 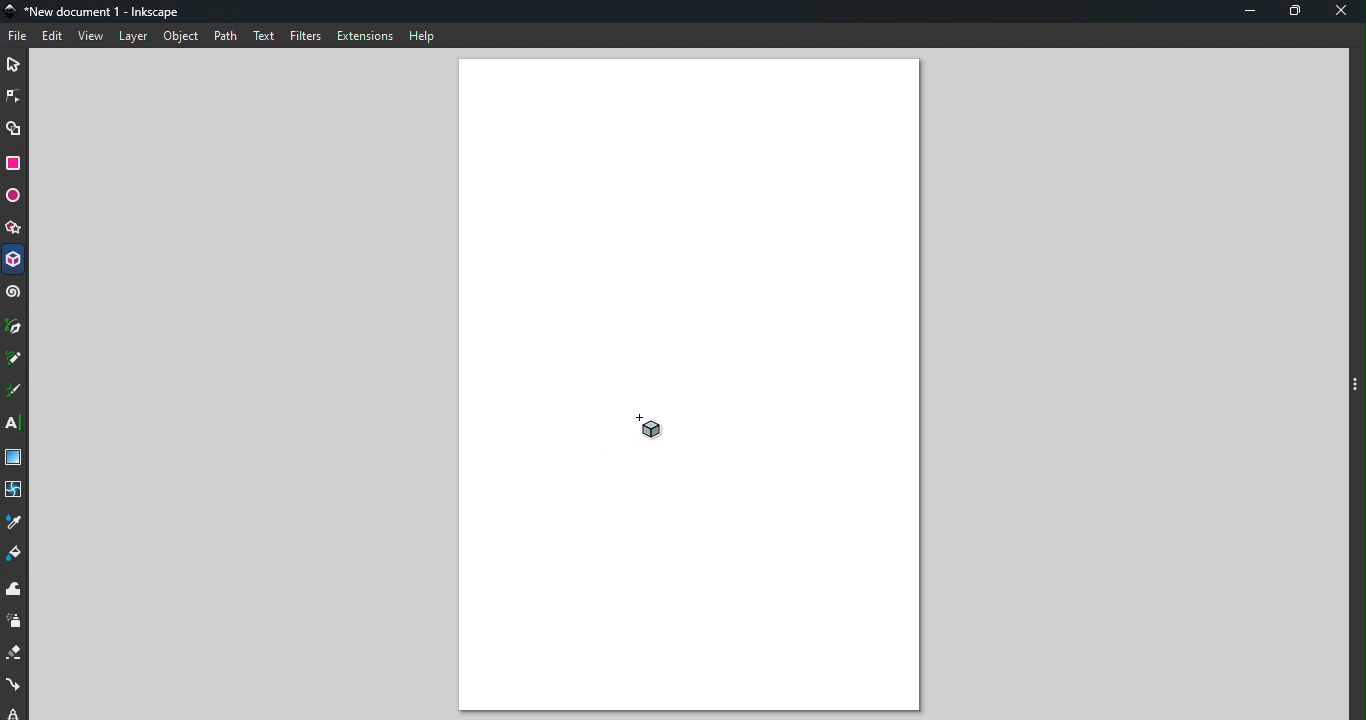 I want to click on Dropper tool, so click(x=16, y=521).